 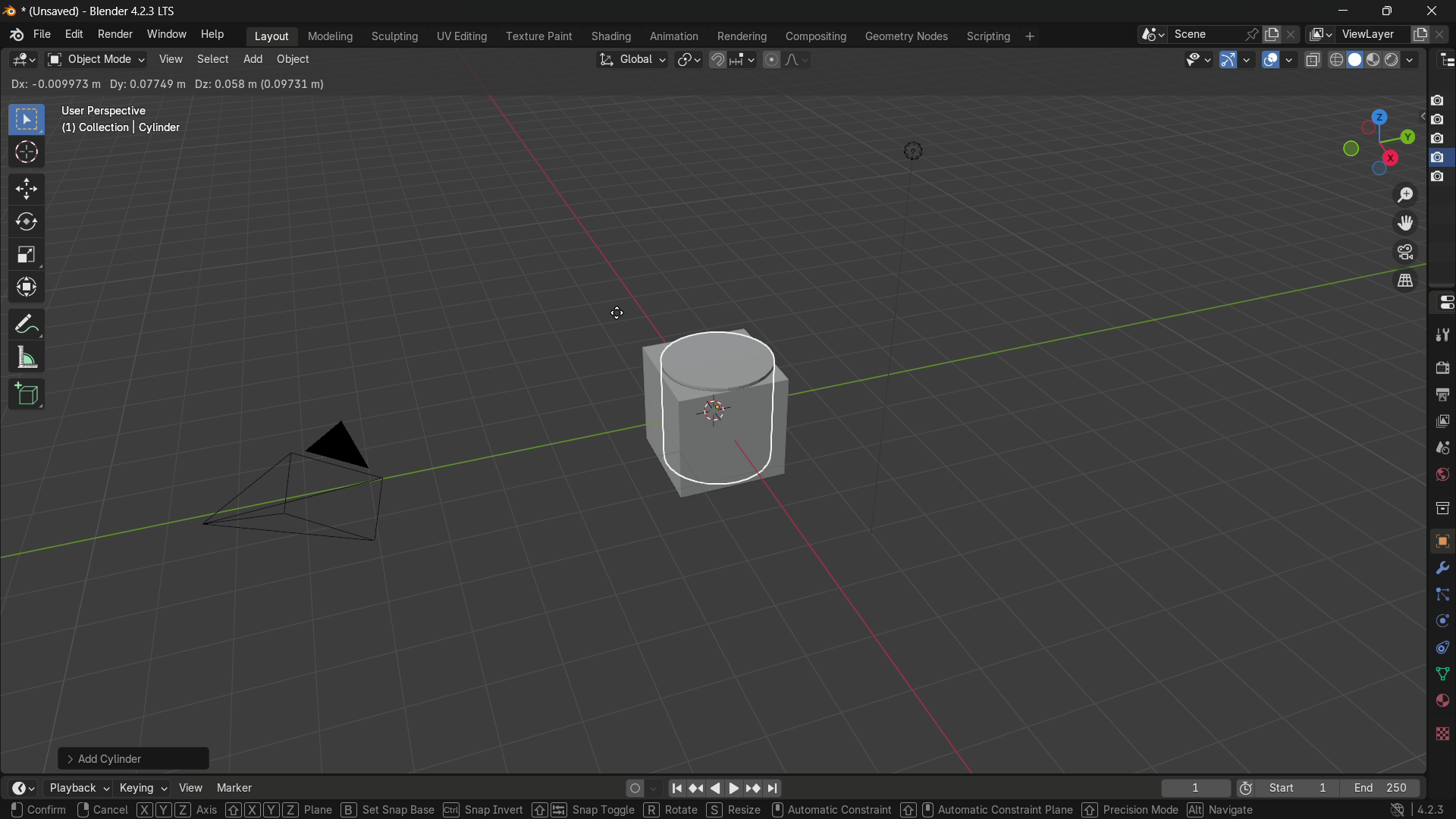 I want to click on show gizmo, so click(x=1227, y=59).